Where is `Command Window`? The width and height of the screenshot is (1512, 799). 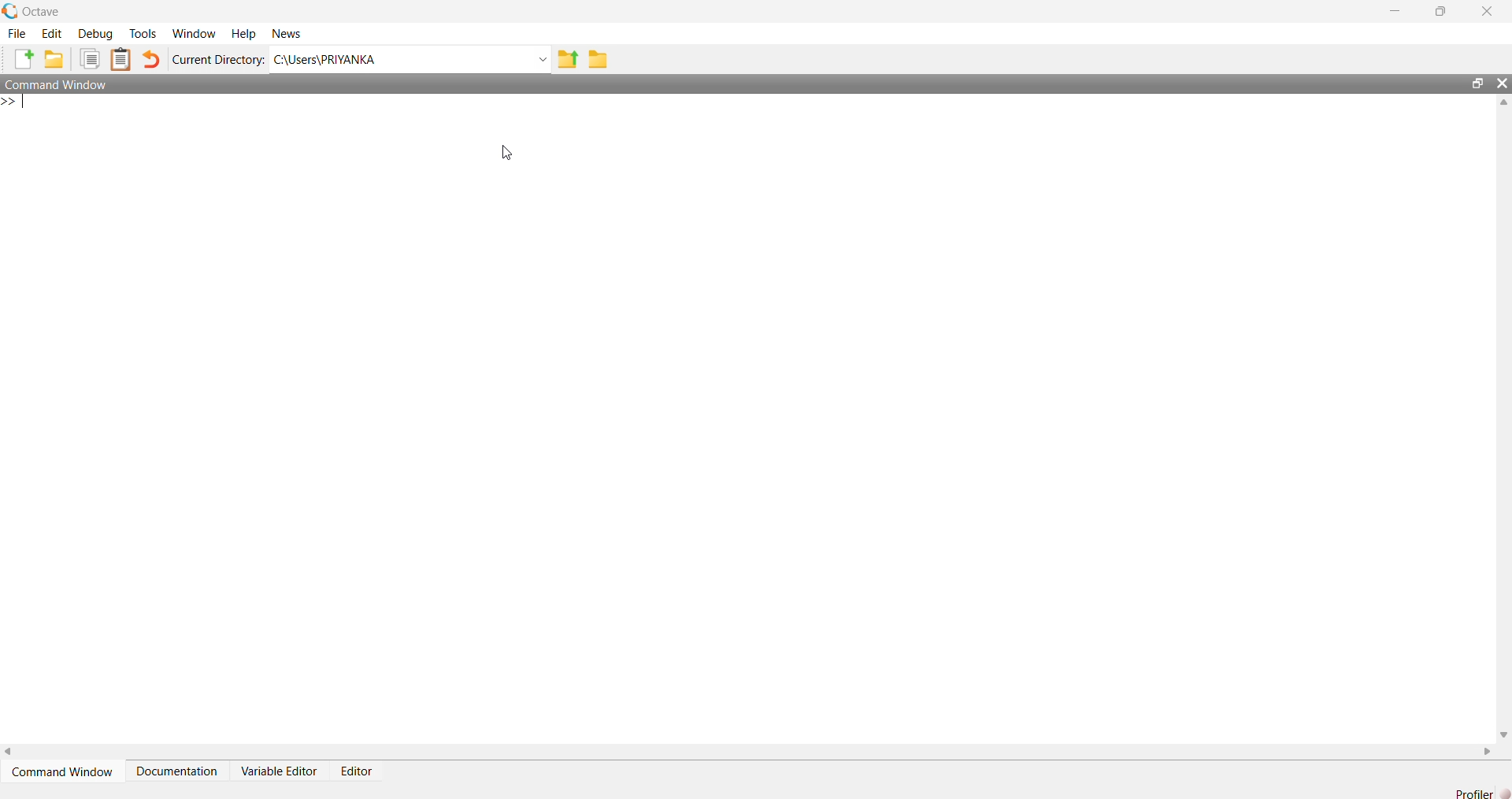 Command Window is located at coordinates (63, 771).